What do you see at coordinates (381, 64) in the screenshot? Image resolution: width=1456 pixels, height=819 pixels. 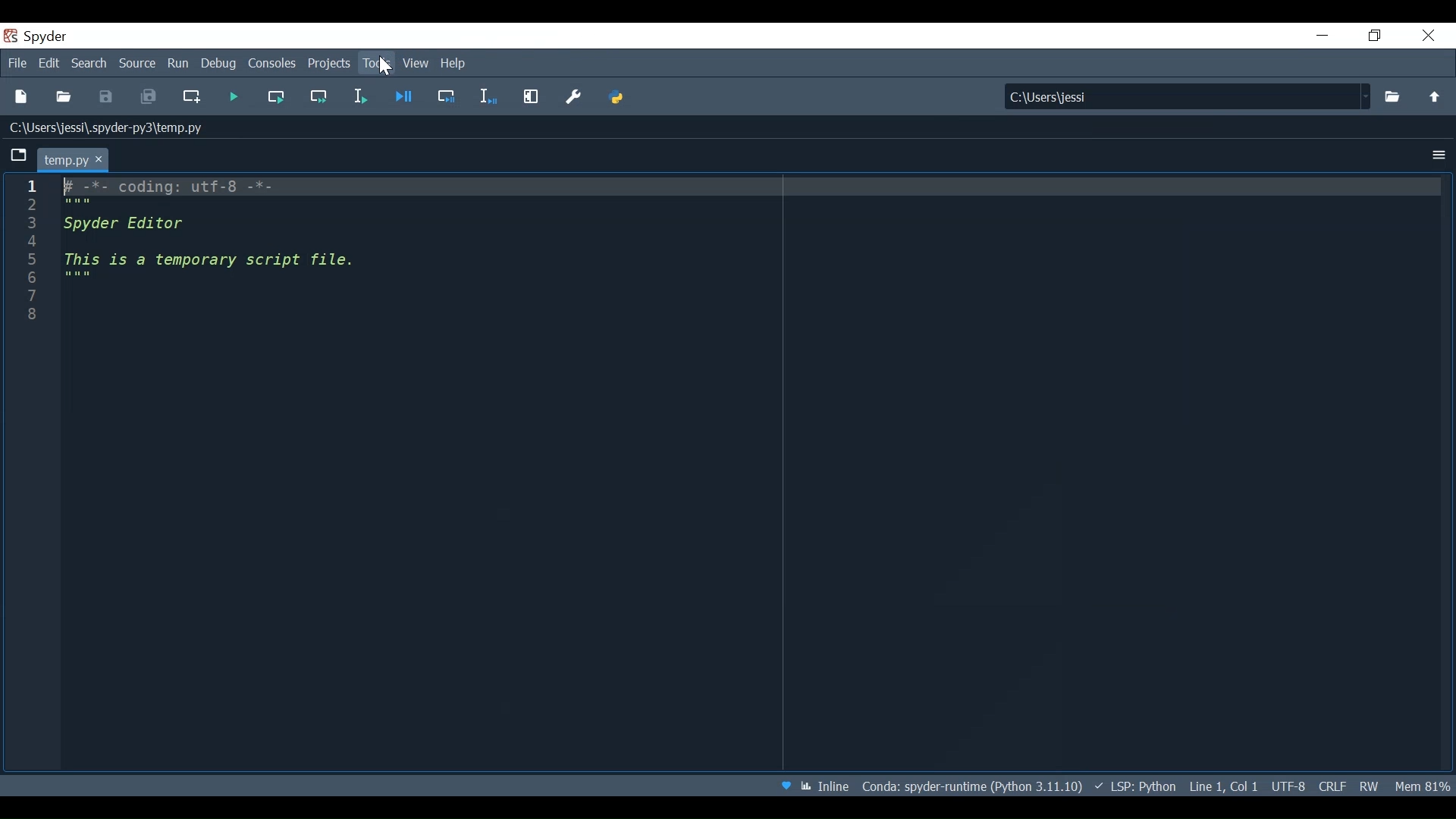 I see `Cursor` at bounding box center [381, 64].